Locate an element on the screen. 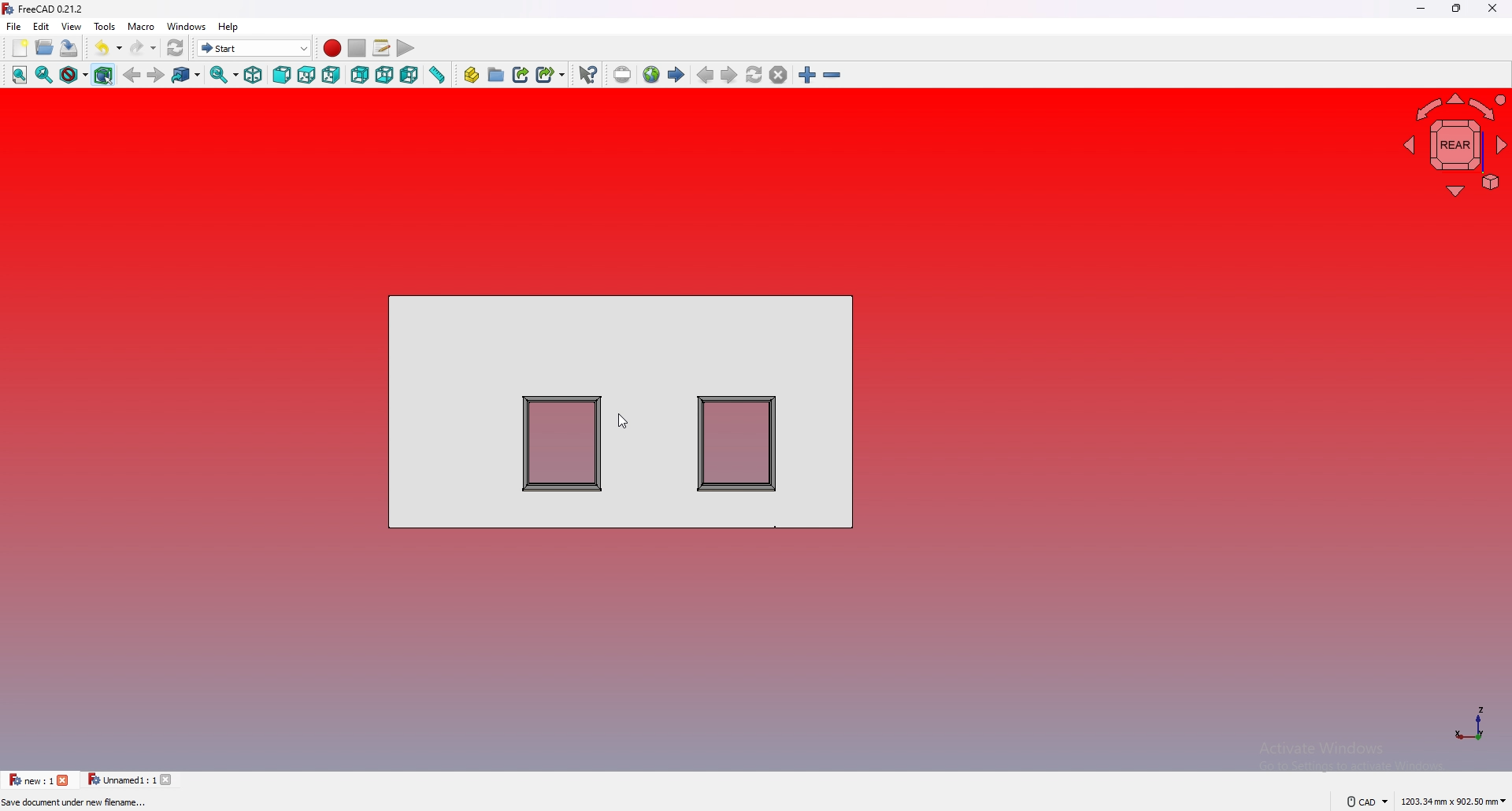 The width and height of the screenshot is (1512, 811). set url is located at coordinates (623, 75).